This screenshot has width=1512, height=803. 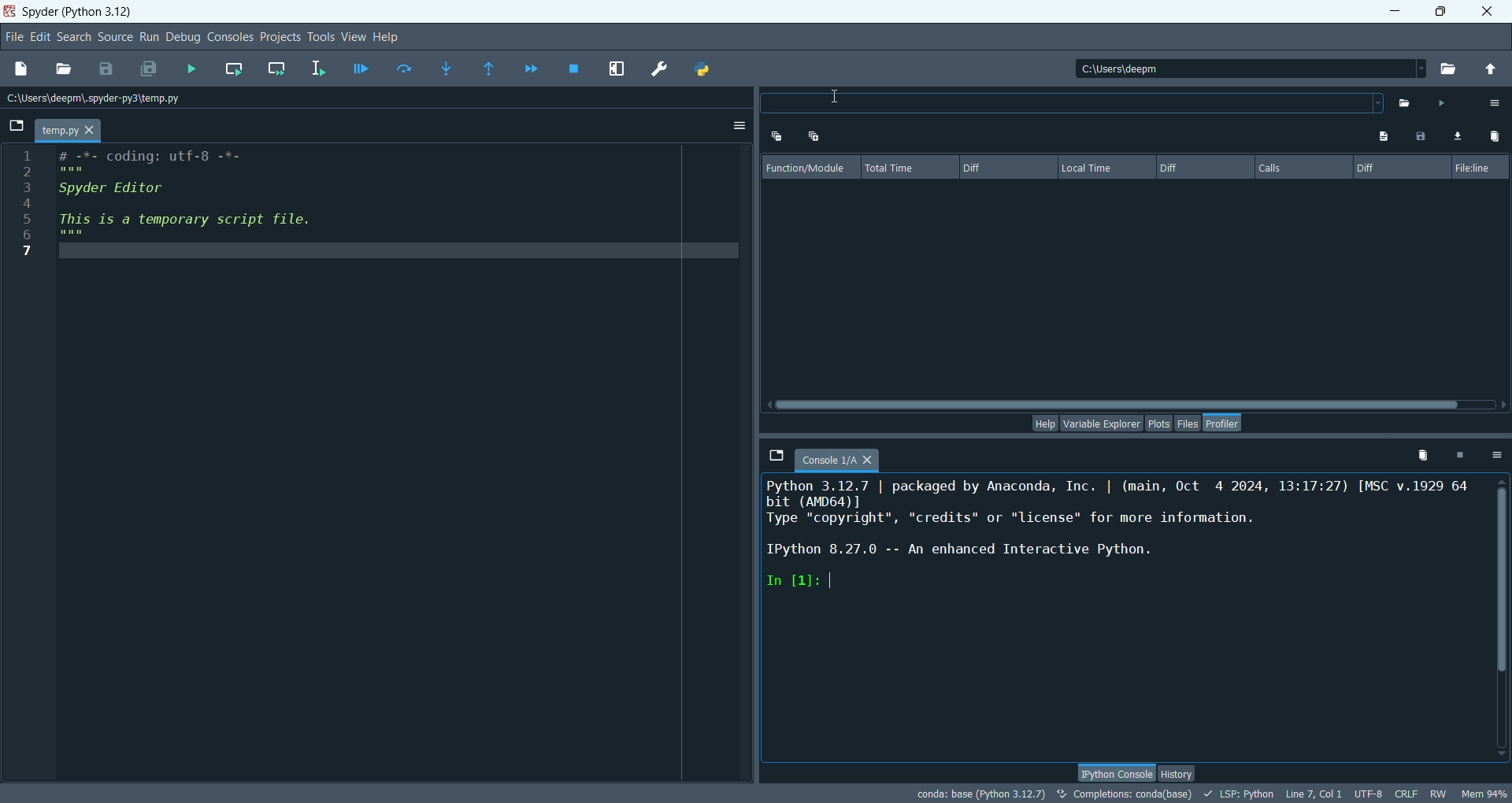 I want to click on preferences, so click(x=659, y=68).